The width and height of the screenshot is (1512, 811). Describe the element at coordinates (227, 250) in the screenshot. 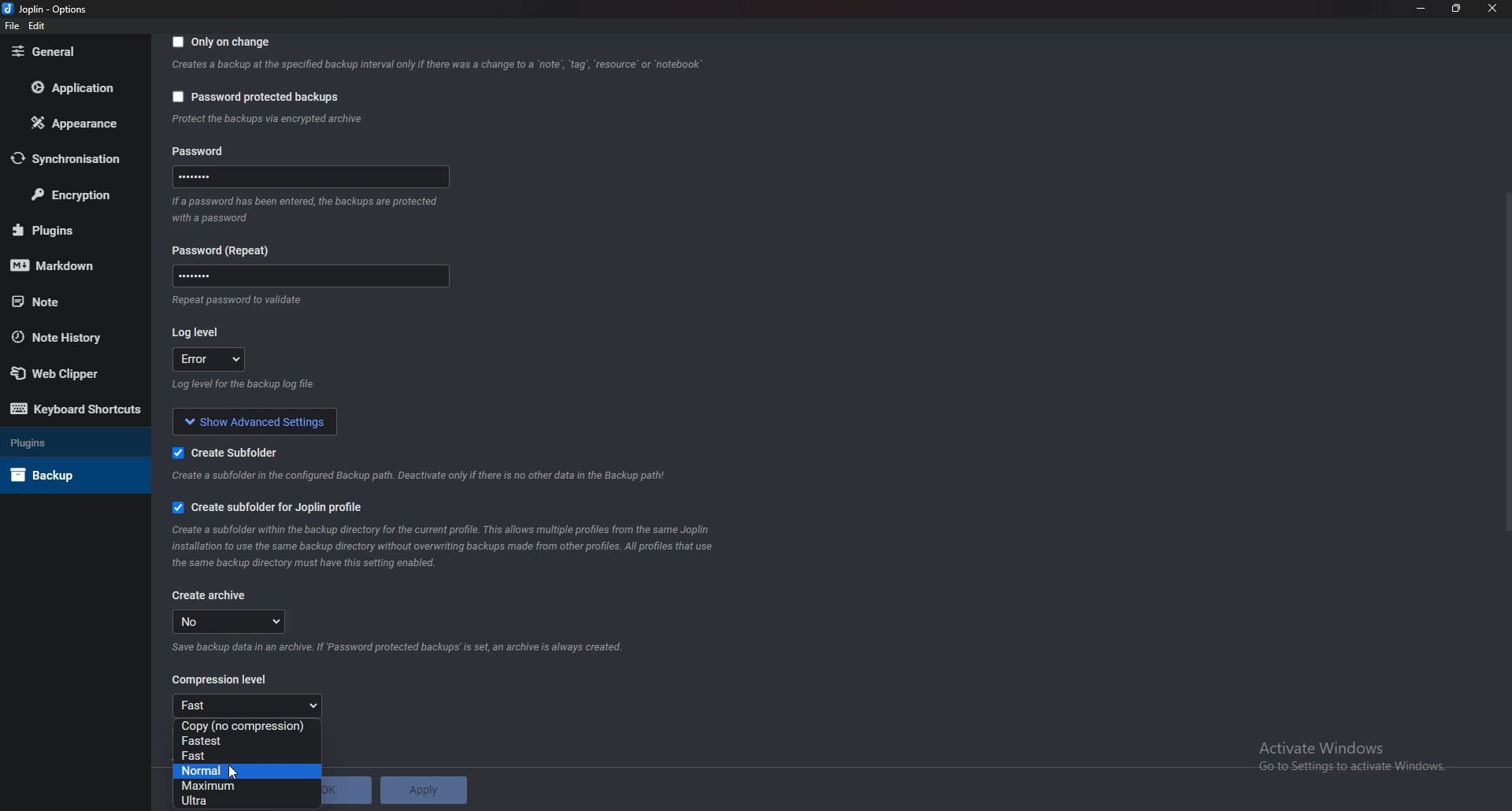

I see `Password` at that location.